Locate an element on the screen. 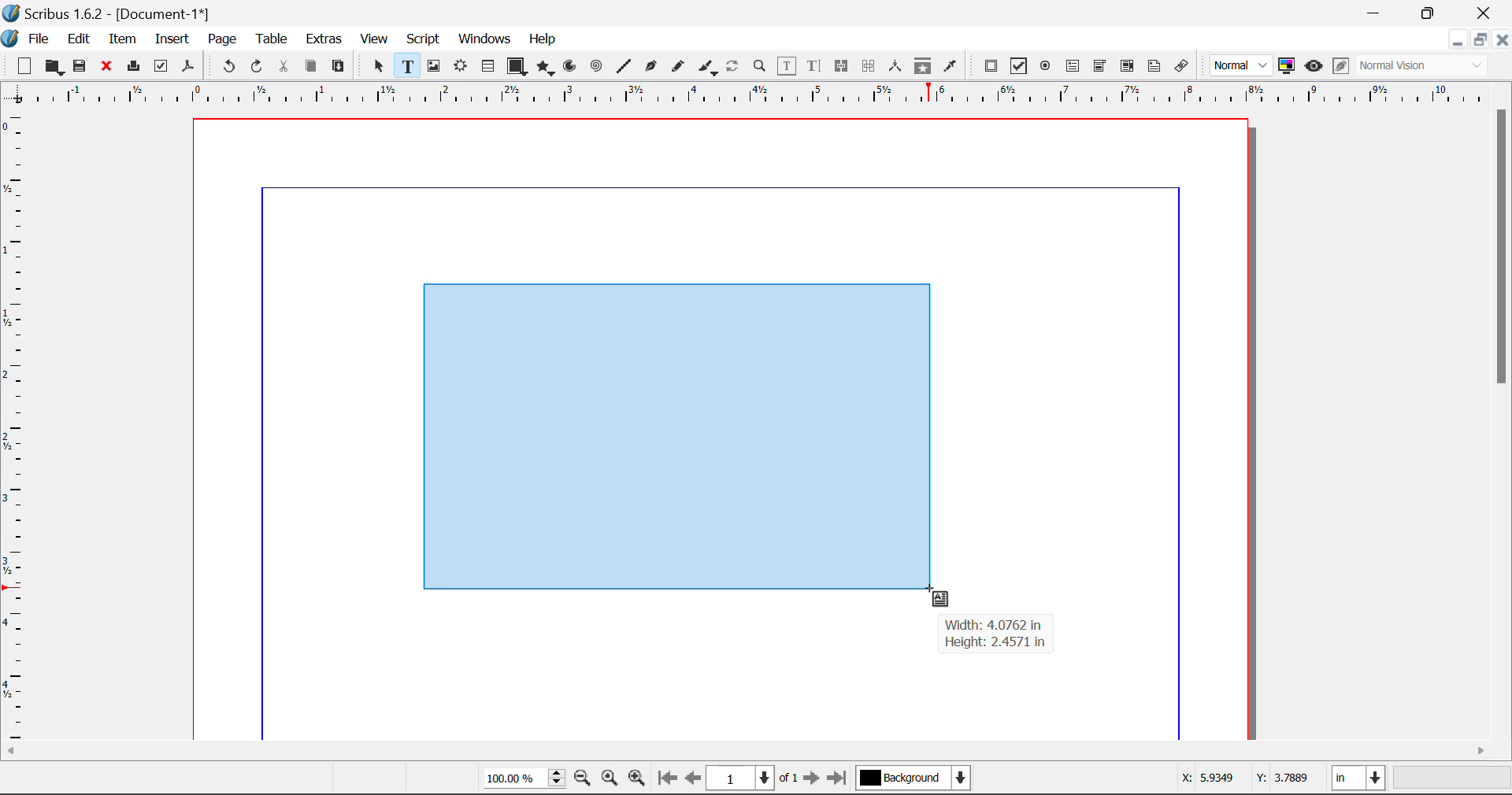  Scroll Bar is located at coordinates (1503, 420).